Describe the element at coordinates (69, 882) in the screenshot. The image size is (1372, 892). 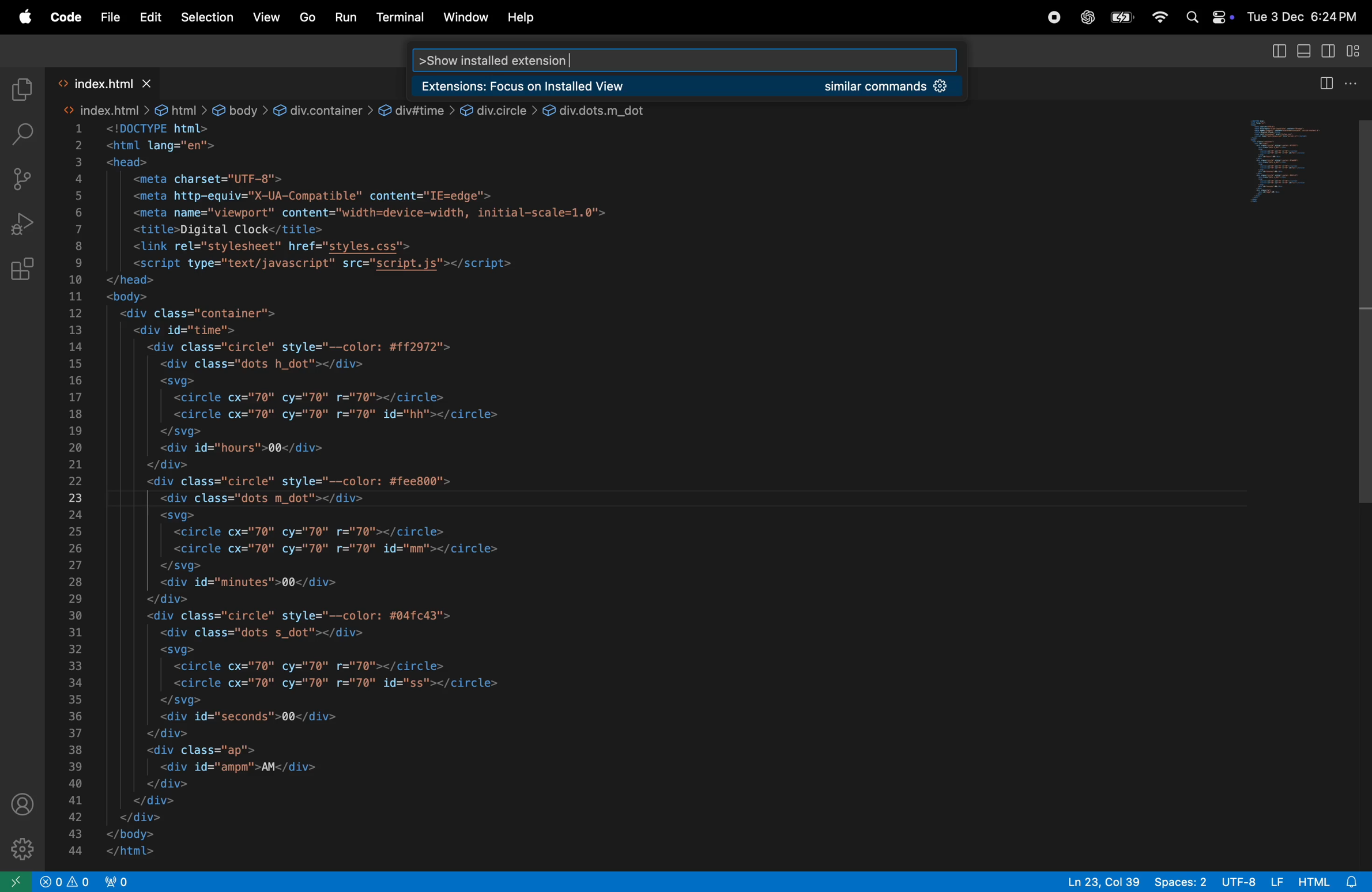
I see `no problems` at that location.